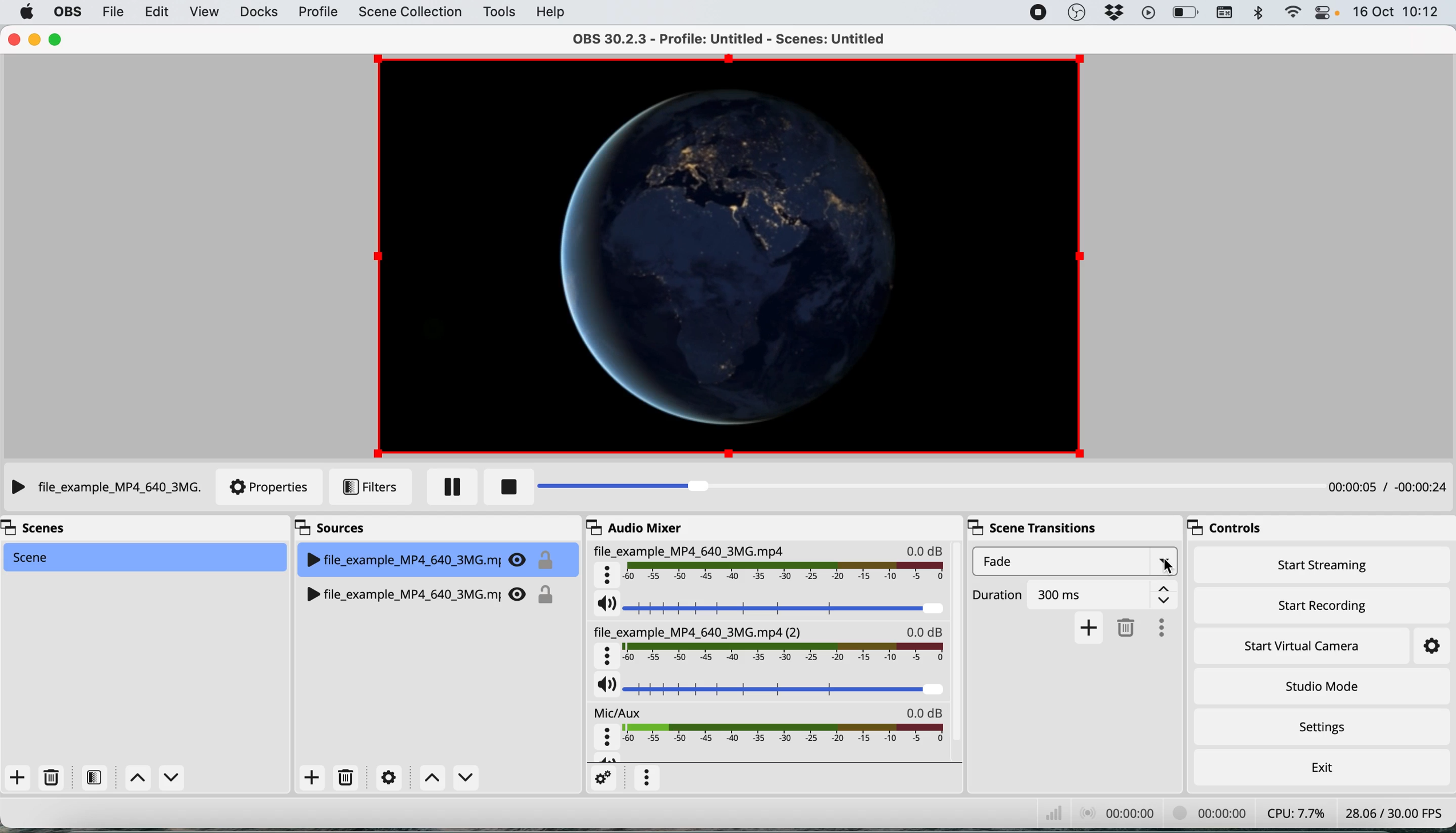 This screenshot has height=833, width=1456. I want to click on playback timestamp, so click(1388, 488).